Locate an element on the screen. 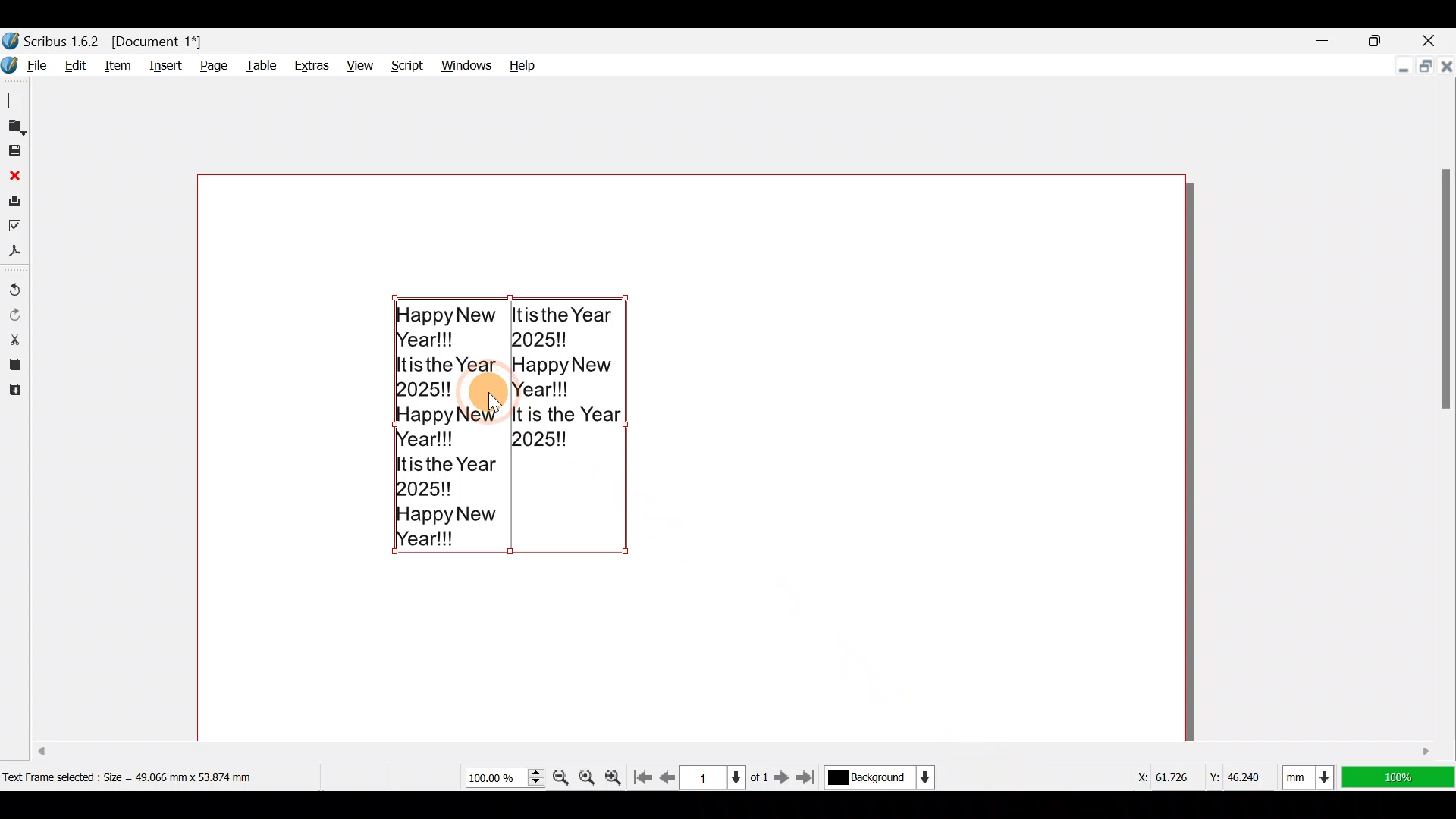 The image size is (1456, 819). Table is located at coordinates (259, 64).